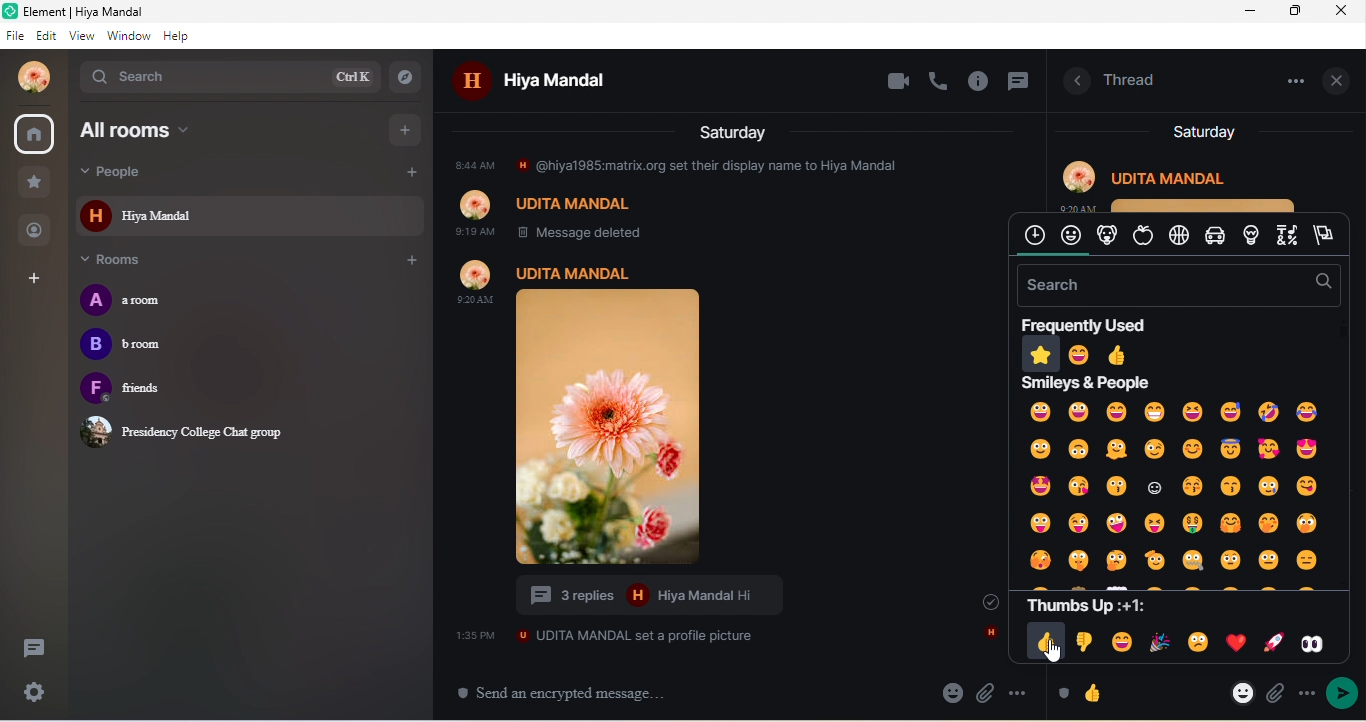 The image size is (1366, 722). Describe the element at coordinates (49, 36) in the screenshot. I see `edit` at that location.